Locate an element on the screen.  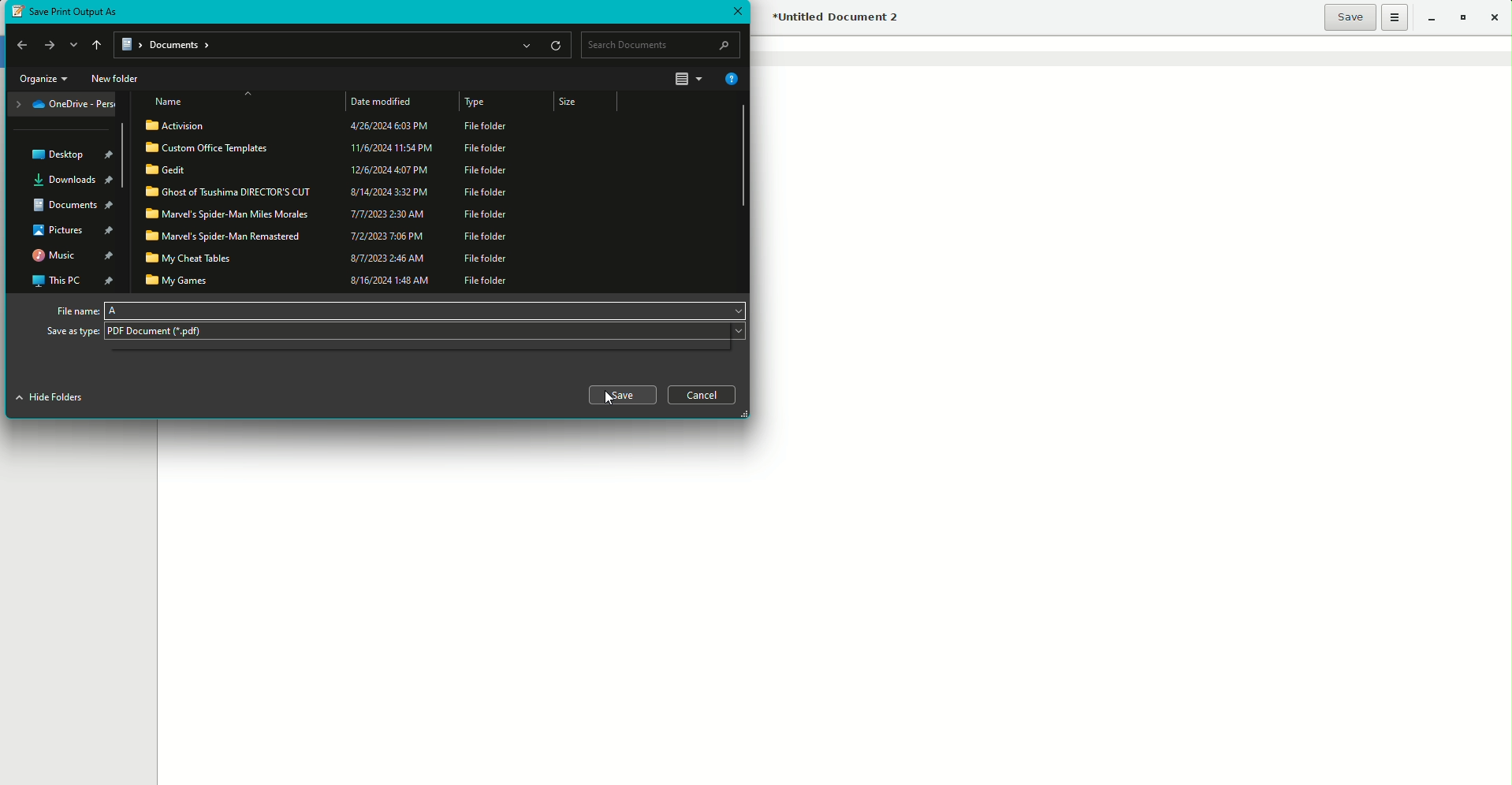
Music is located at coordinates (74, 255).